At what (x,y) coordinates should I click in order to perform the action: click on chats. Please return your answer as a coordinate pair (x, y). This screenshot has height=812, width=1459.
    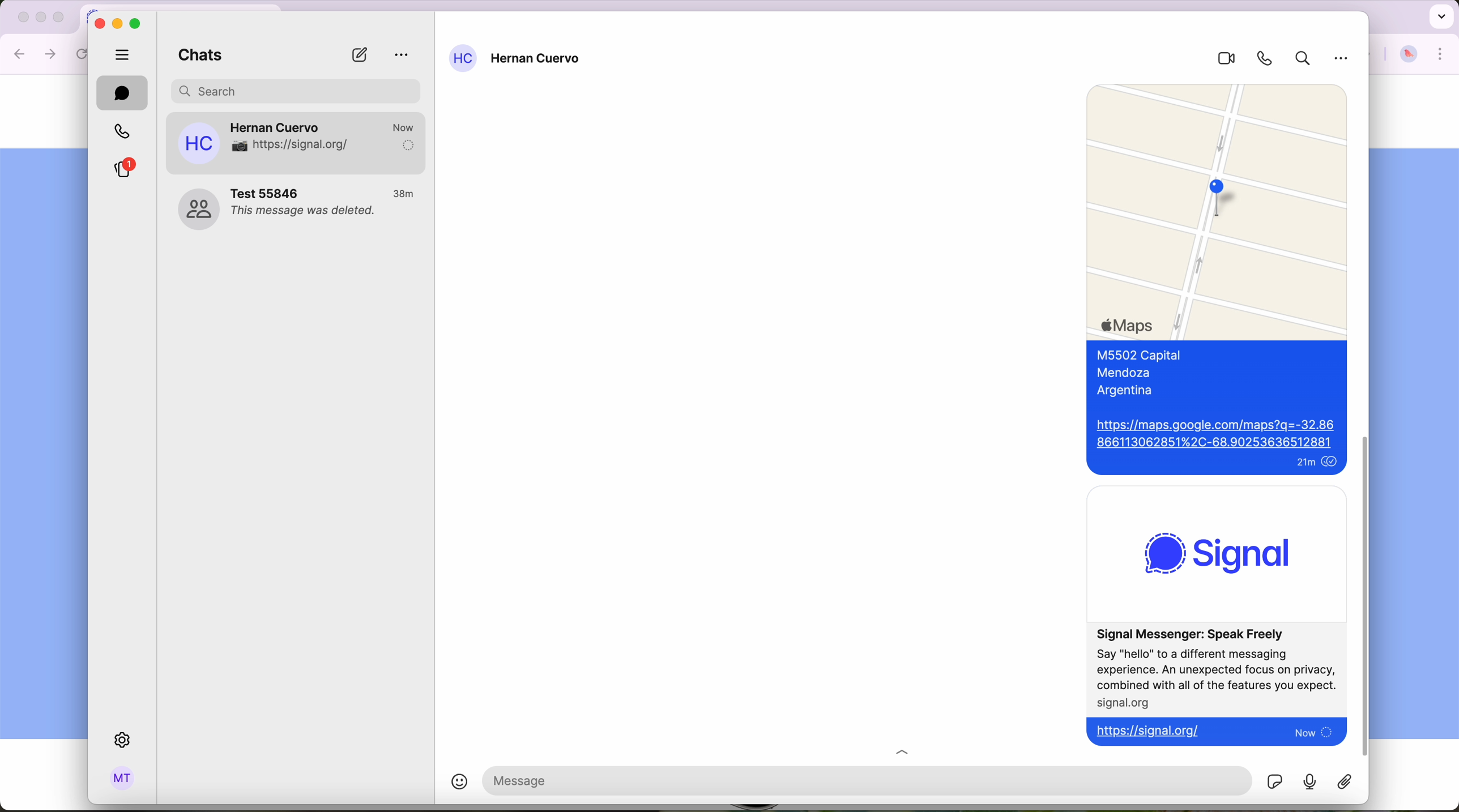
    Looking at the image, I should click on (122, 93).